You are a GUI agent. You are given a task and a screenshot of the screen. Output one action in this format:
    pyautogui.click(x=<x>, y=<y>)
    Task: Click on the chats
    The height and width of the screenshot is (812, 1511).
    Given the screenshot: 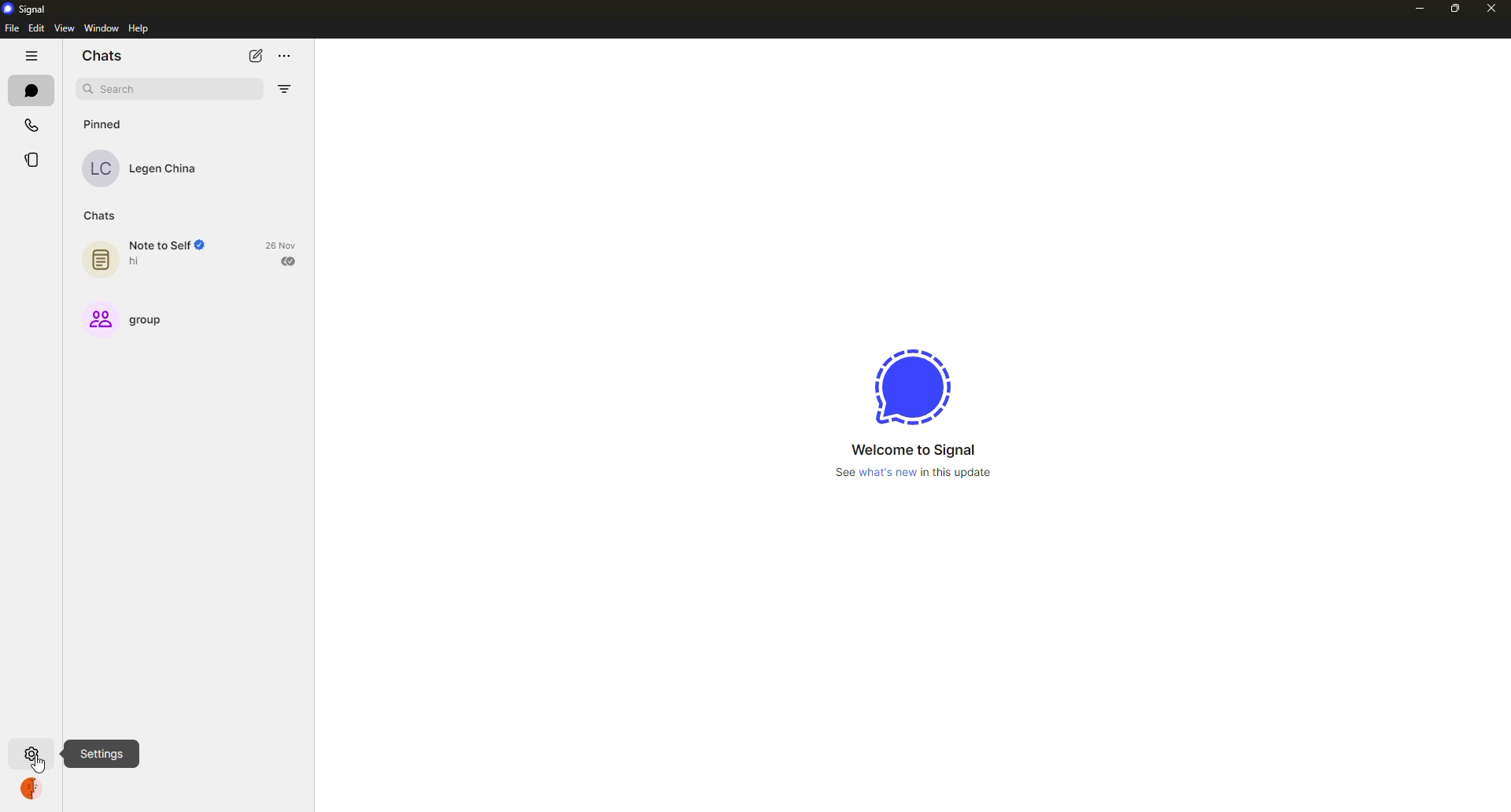 What is the action you would take?
    pyautogui.click(x=104, y=216)
    